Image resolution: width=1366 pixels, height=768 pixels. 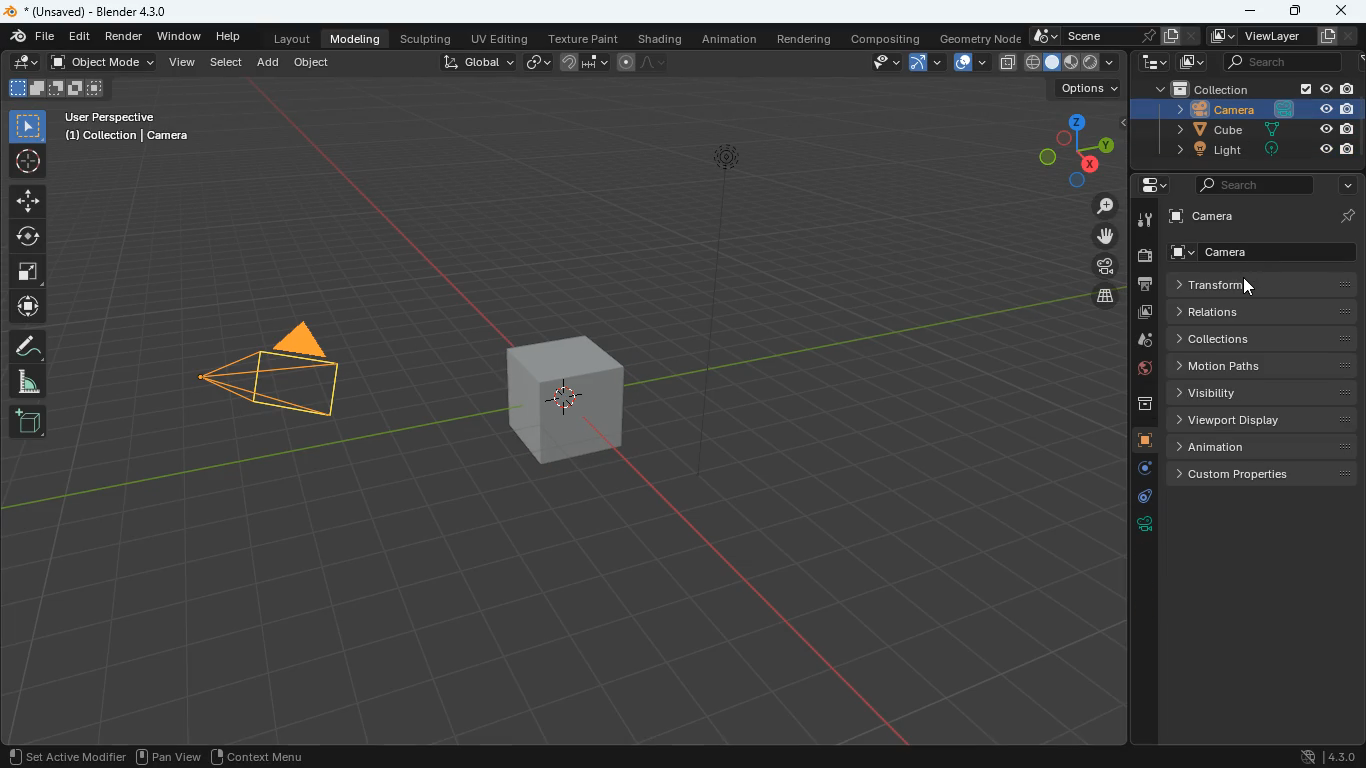 What do you see at coordinates (1135, 439) in the screenshot?
I see `cube` at bounding box center [1135, 439].